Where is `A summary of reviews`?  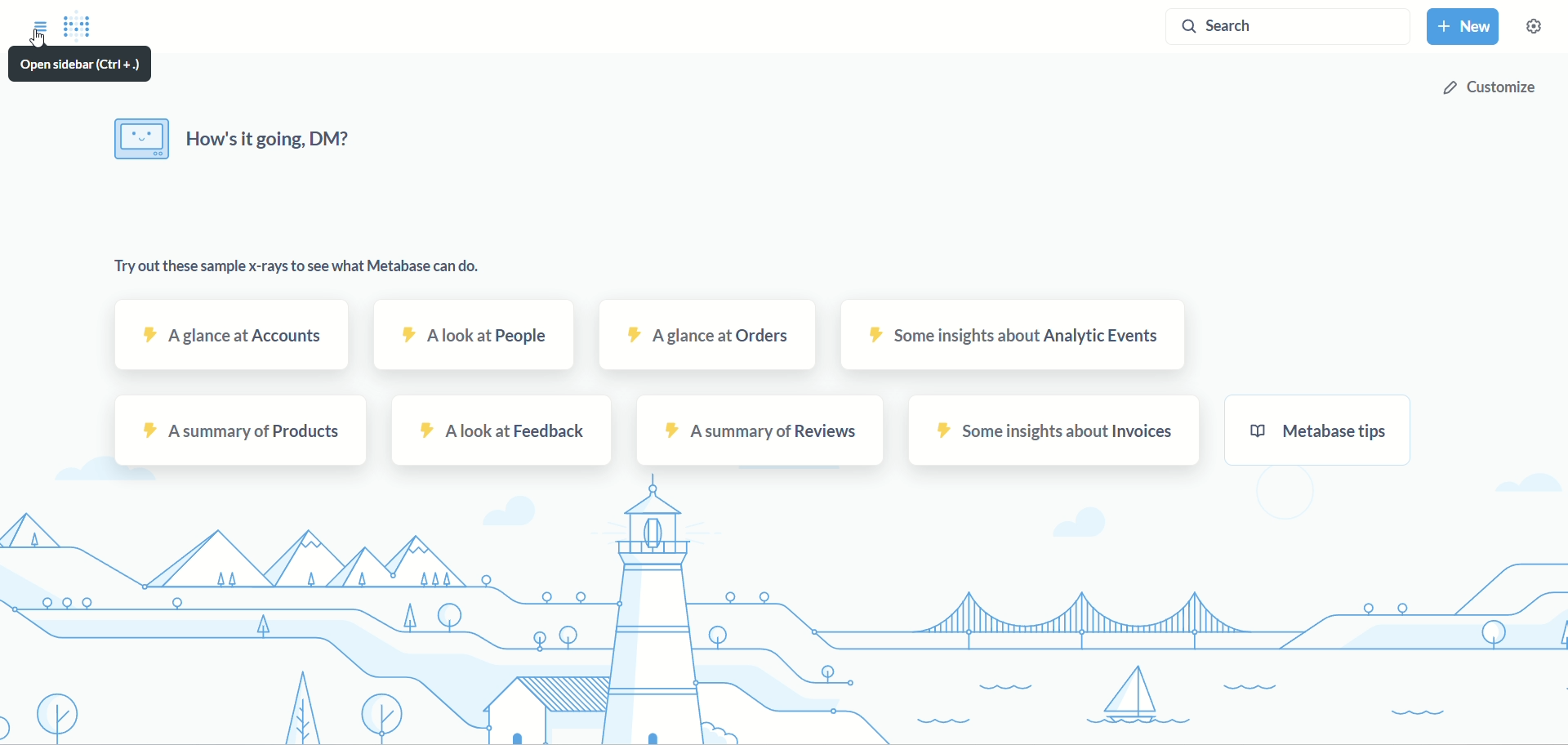 A summary of reviews is located at coordinates (761, 430).